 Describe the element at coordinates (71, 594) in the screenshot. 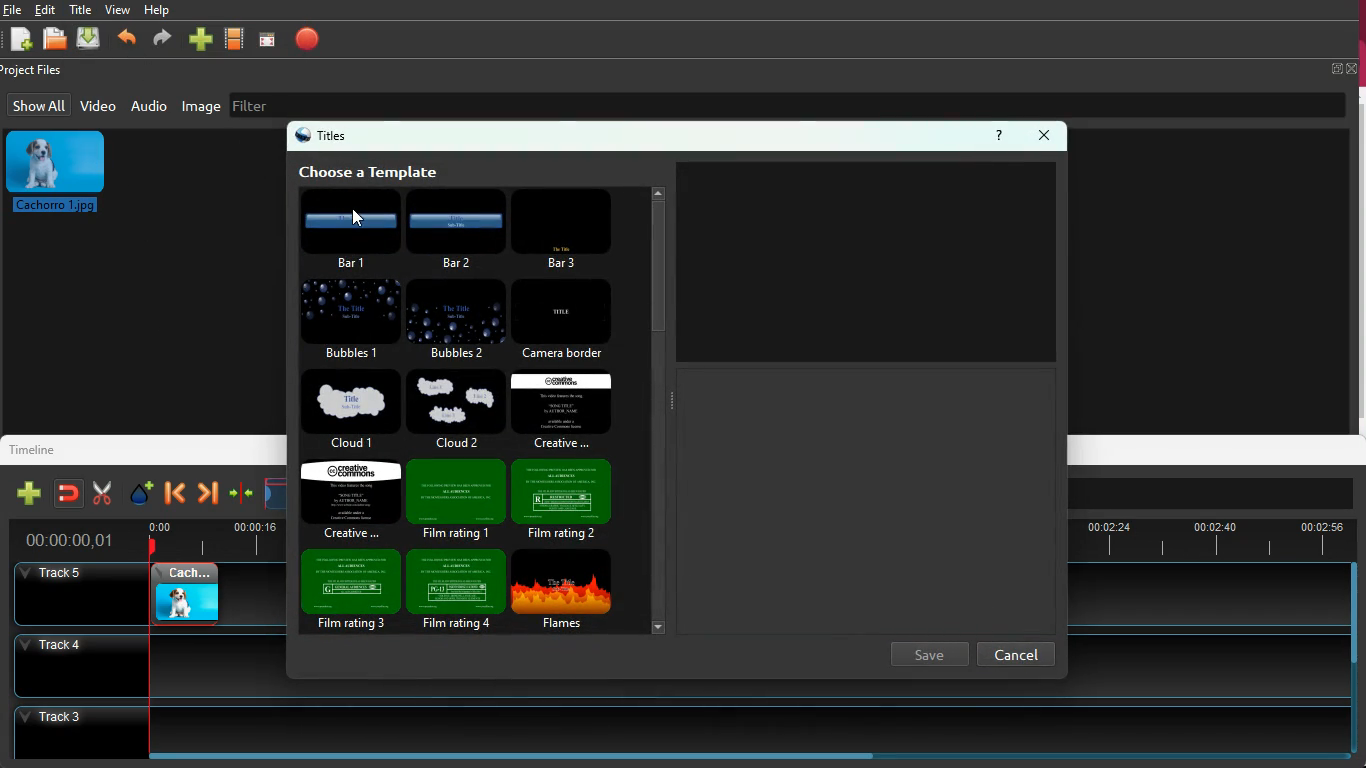

I see `` at that location.